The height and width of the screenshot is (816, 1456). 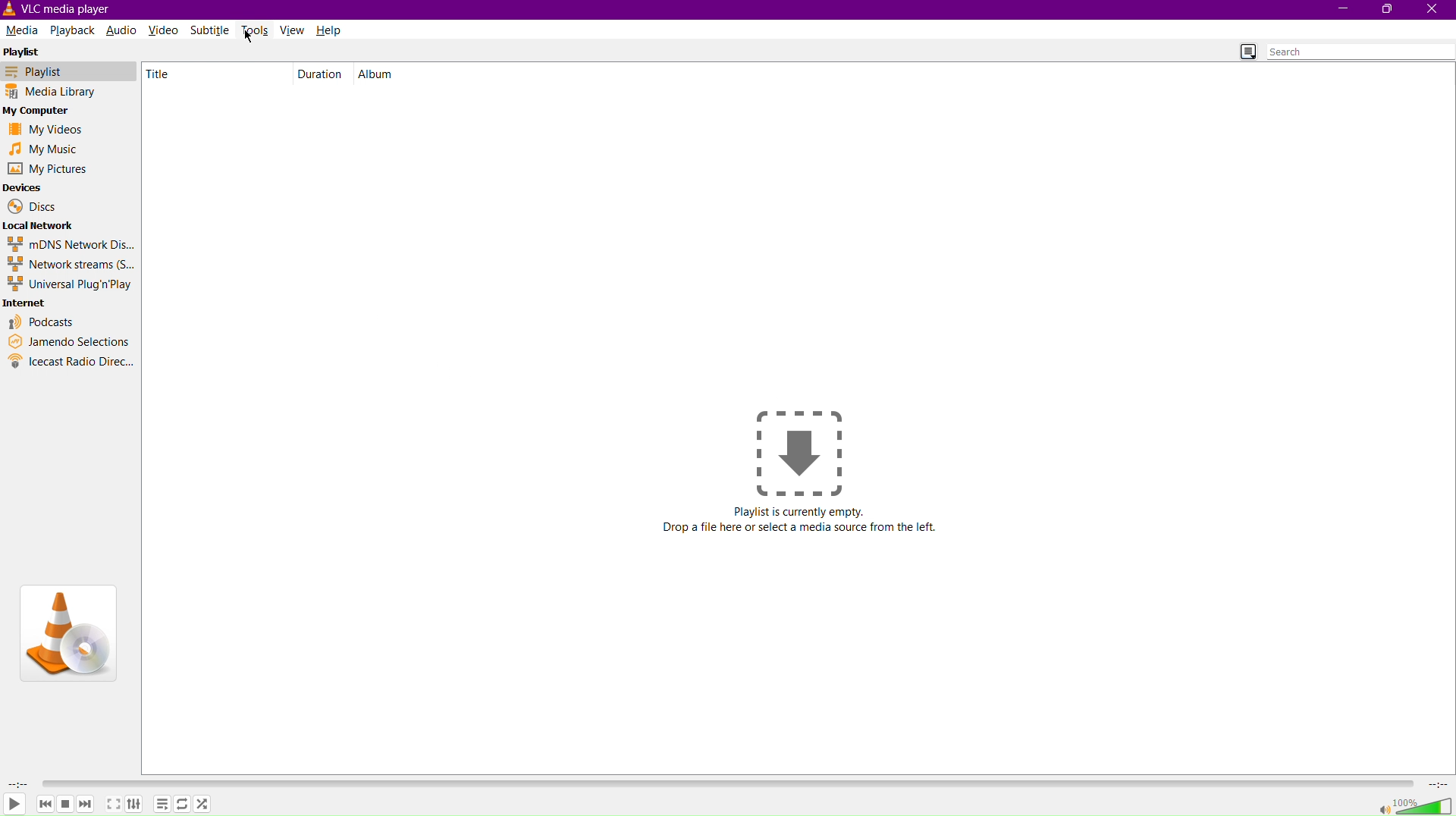 I want to click on Maximize, so click(x=114, y=803).